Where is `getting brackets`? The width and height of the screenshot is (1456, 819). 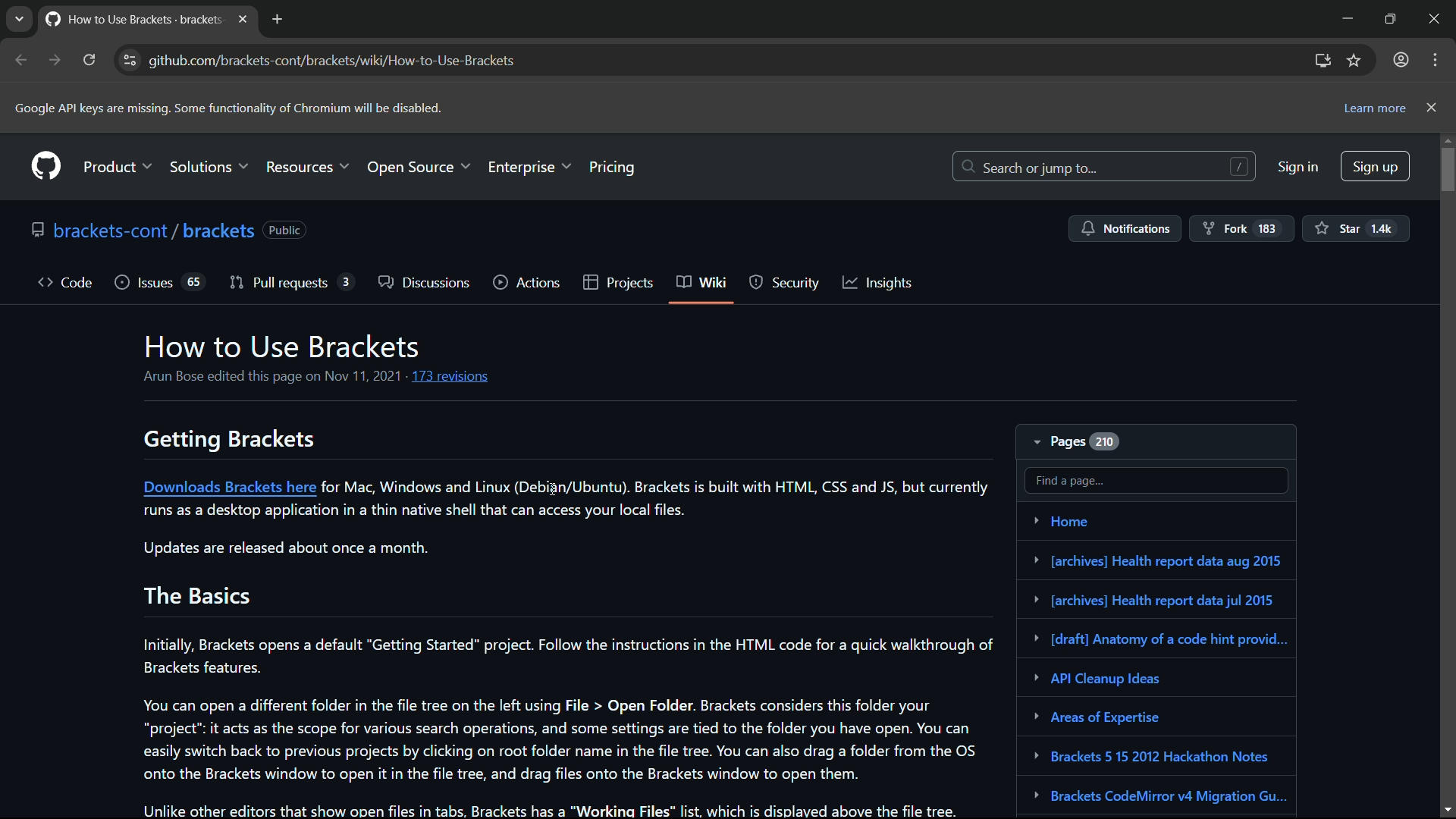 getting brackets is located at coordinates (227, 439).